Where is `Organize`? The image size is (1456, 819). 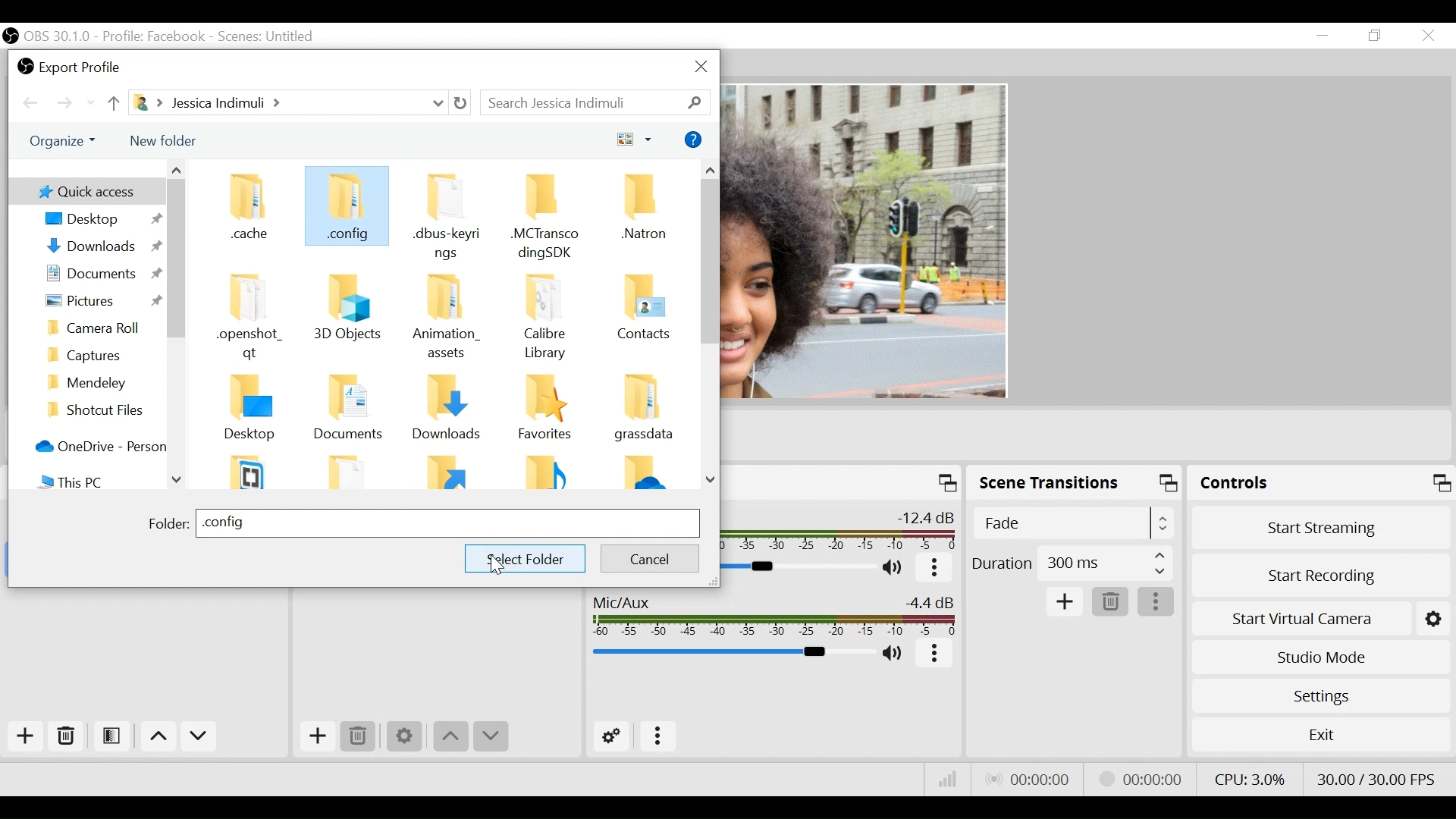 Organize is located at coordinates (67, 142).